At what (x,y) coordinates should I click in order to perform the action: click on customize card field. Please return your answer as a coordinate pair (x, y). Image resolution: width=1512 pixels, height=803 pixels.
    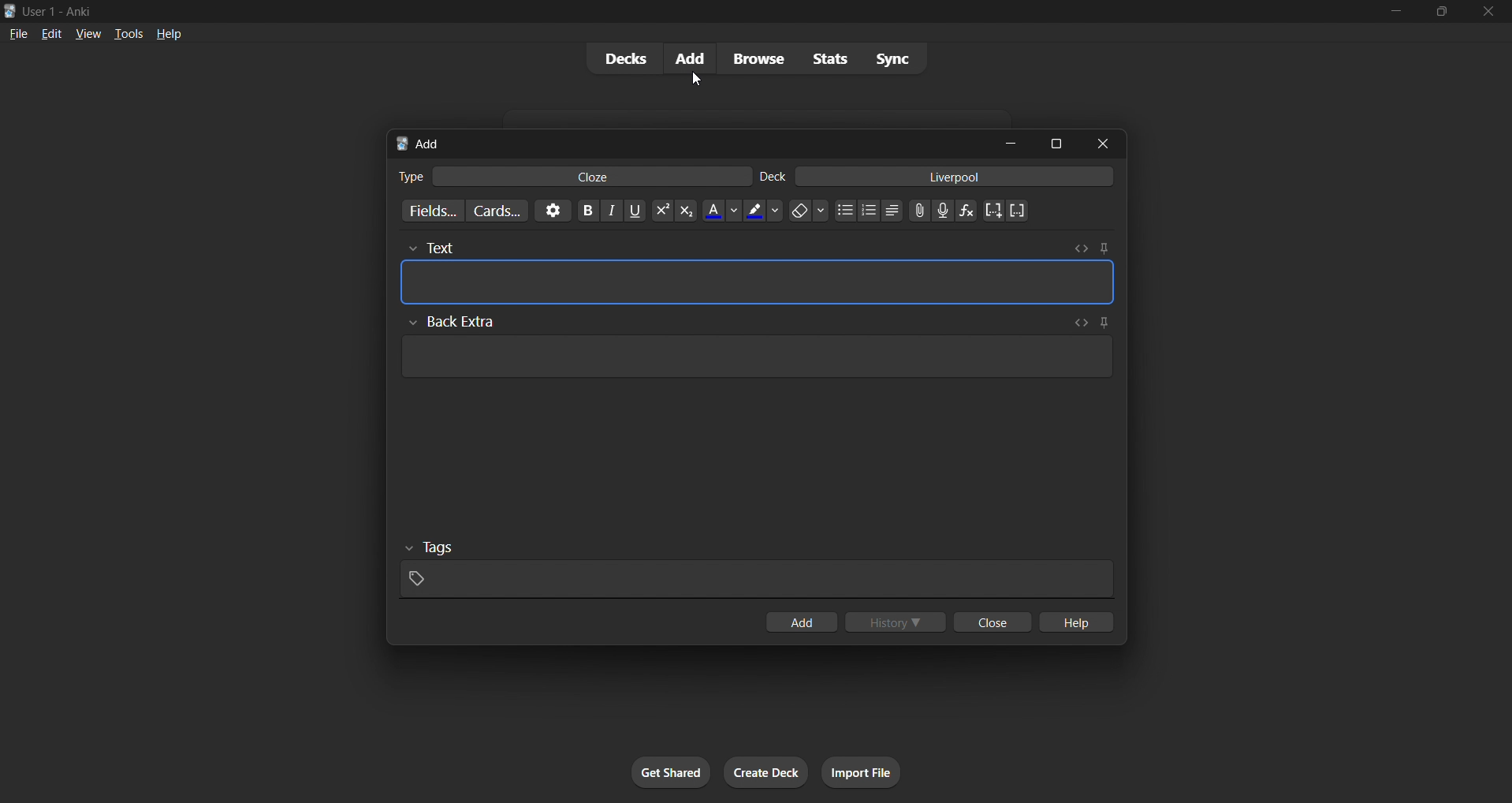
    Looking at the image, I should click on (434, 207).